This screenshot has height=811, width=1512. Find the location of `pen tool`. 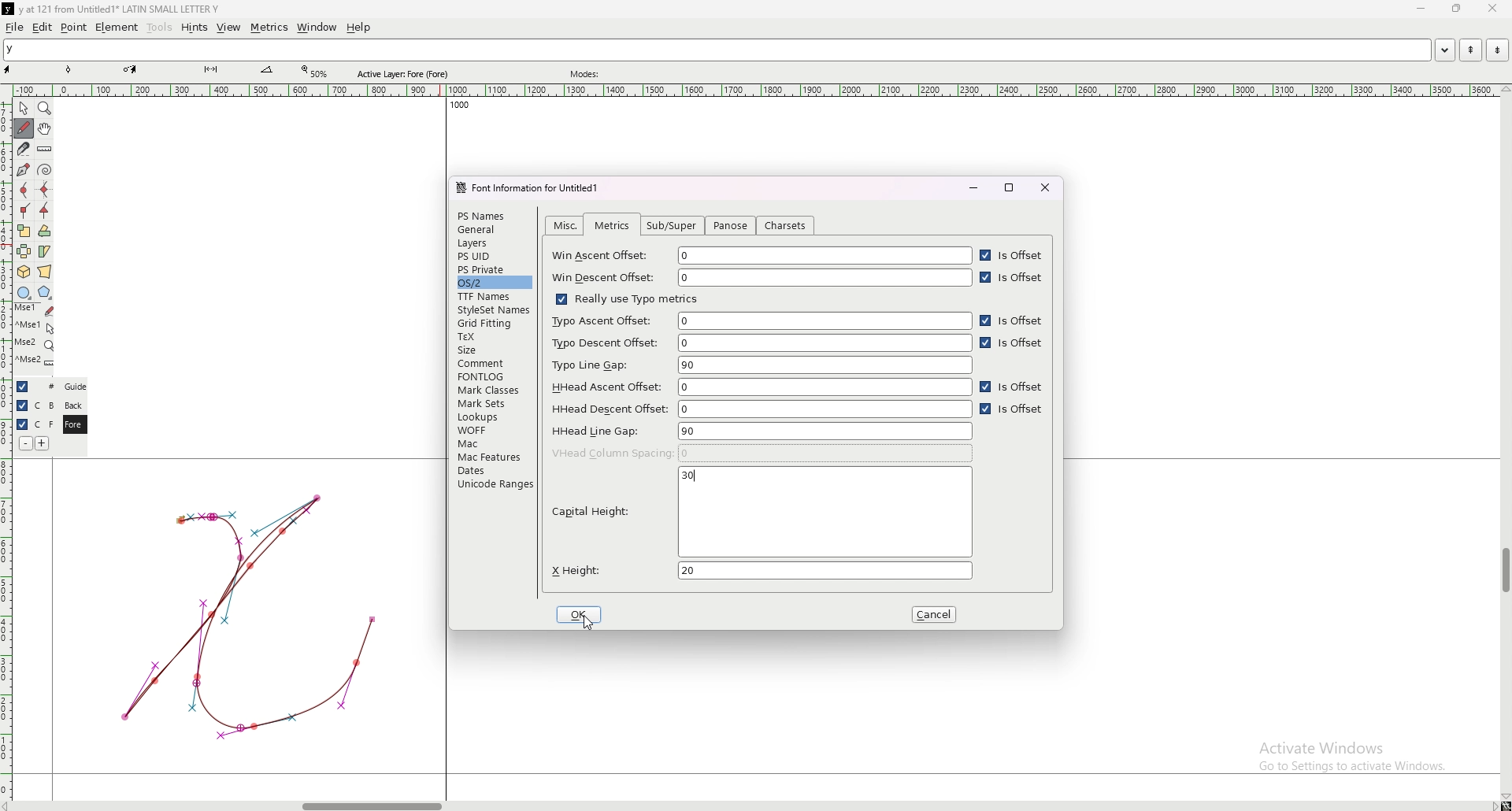

pen tool is located at coordinates (130, 69).